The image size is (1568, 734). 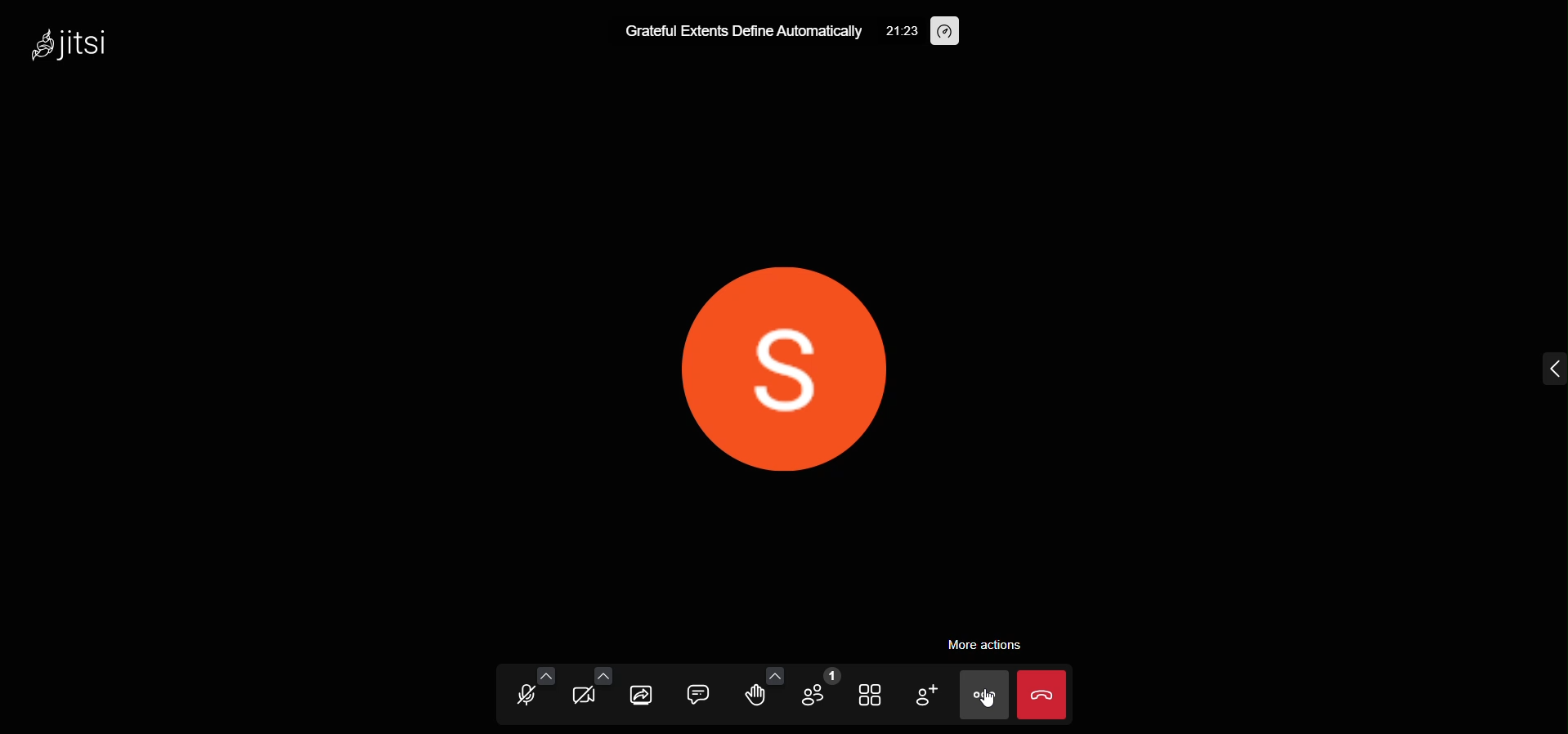 What do you see at coordinates (643, 695) in the screenshot?
I see `svreen share` at bounding box center [643, 695].